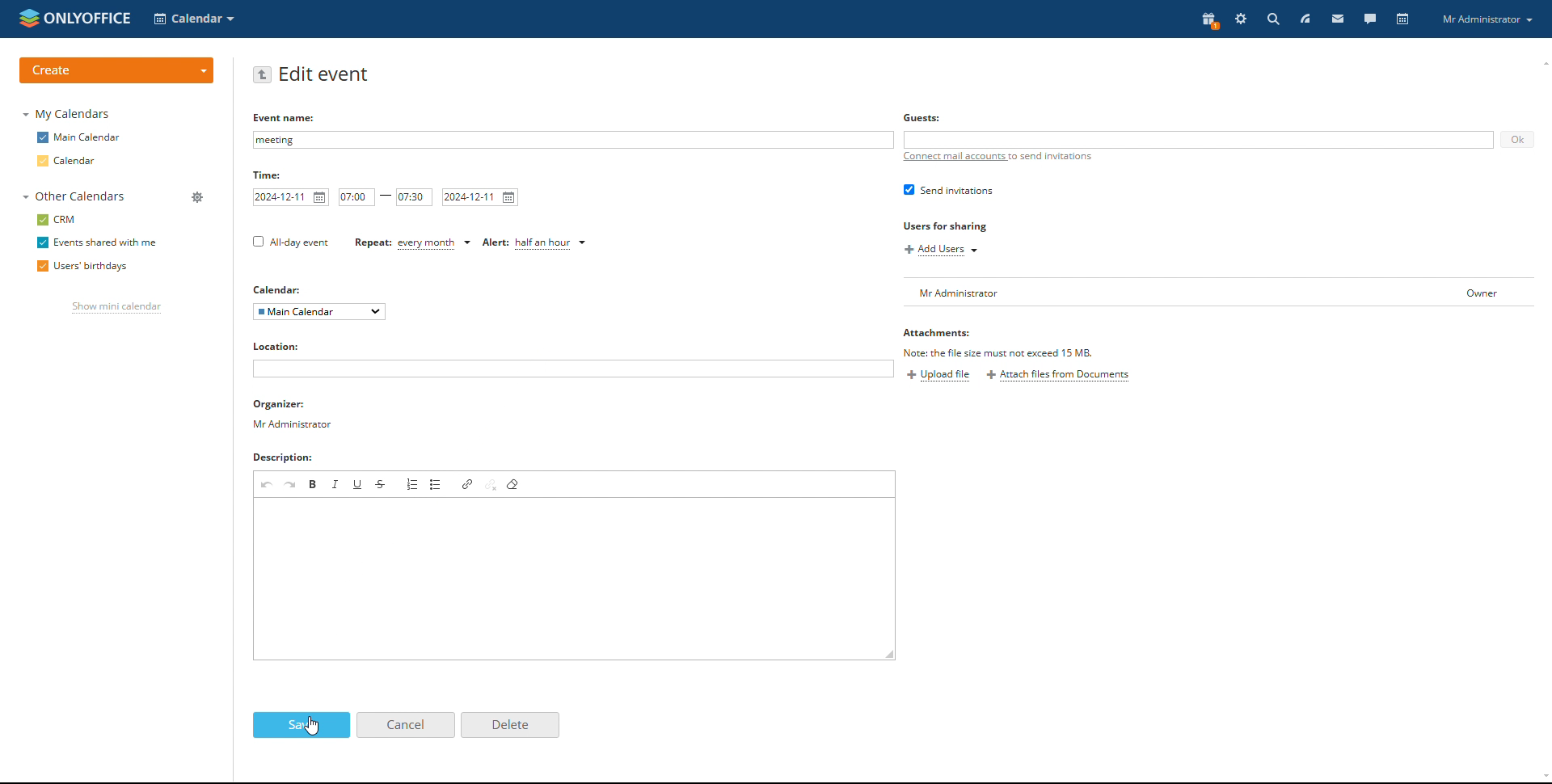 This screenshot has height=784, width=1552. I want to click on event repetition, so click(414, 244).